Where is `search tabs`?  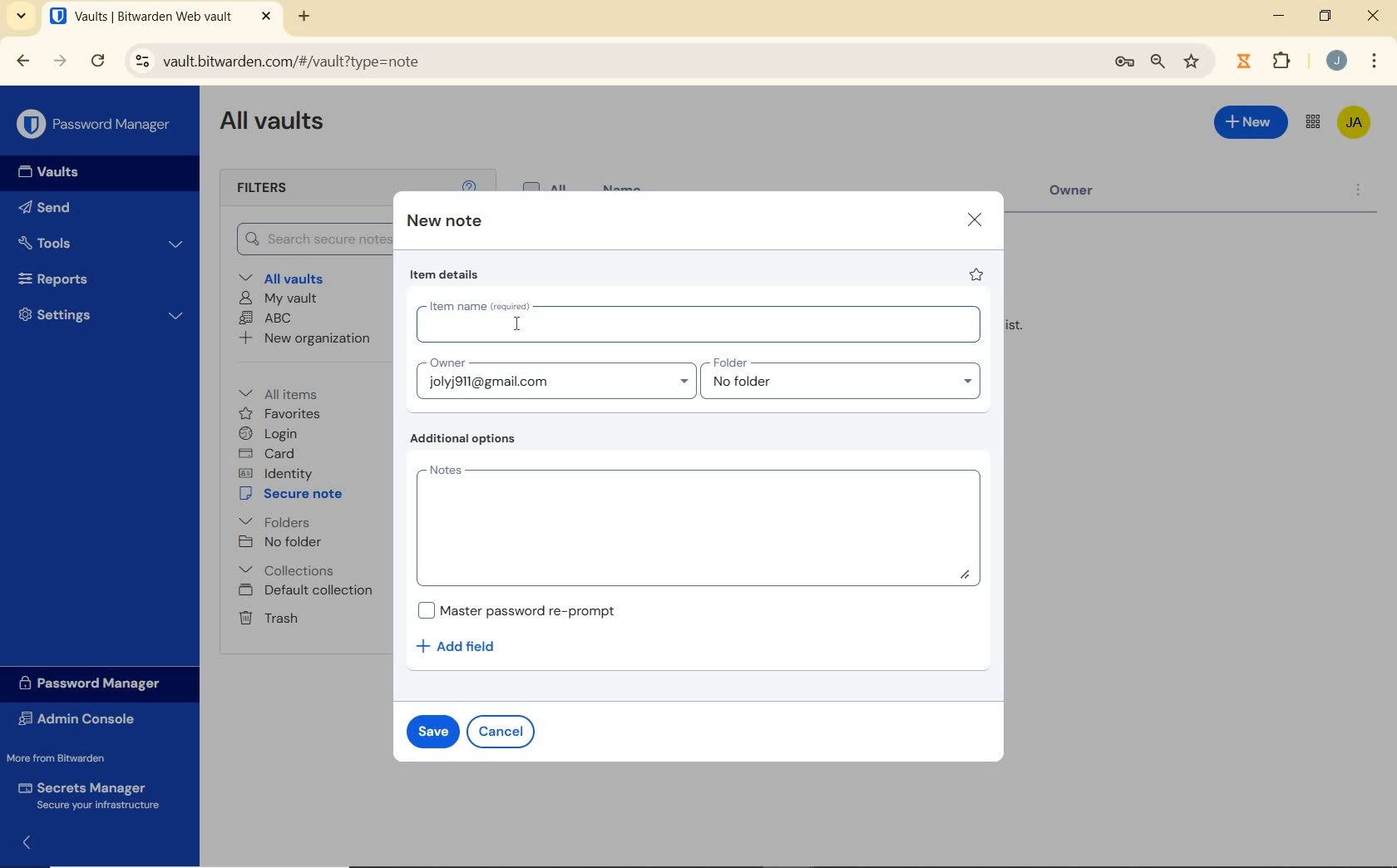
search tabs is located at coordinates (23, 18).